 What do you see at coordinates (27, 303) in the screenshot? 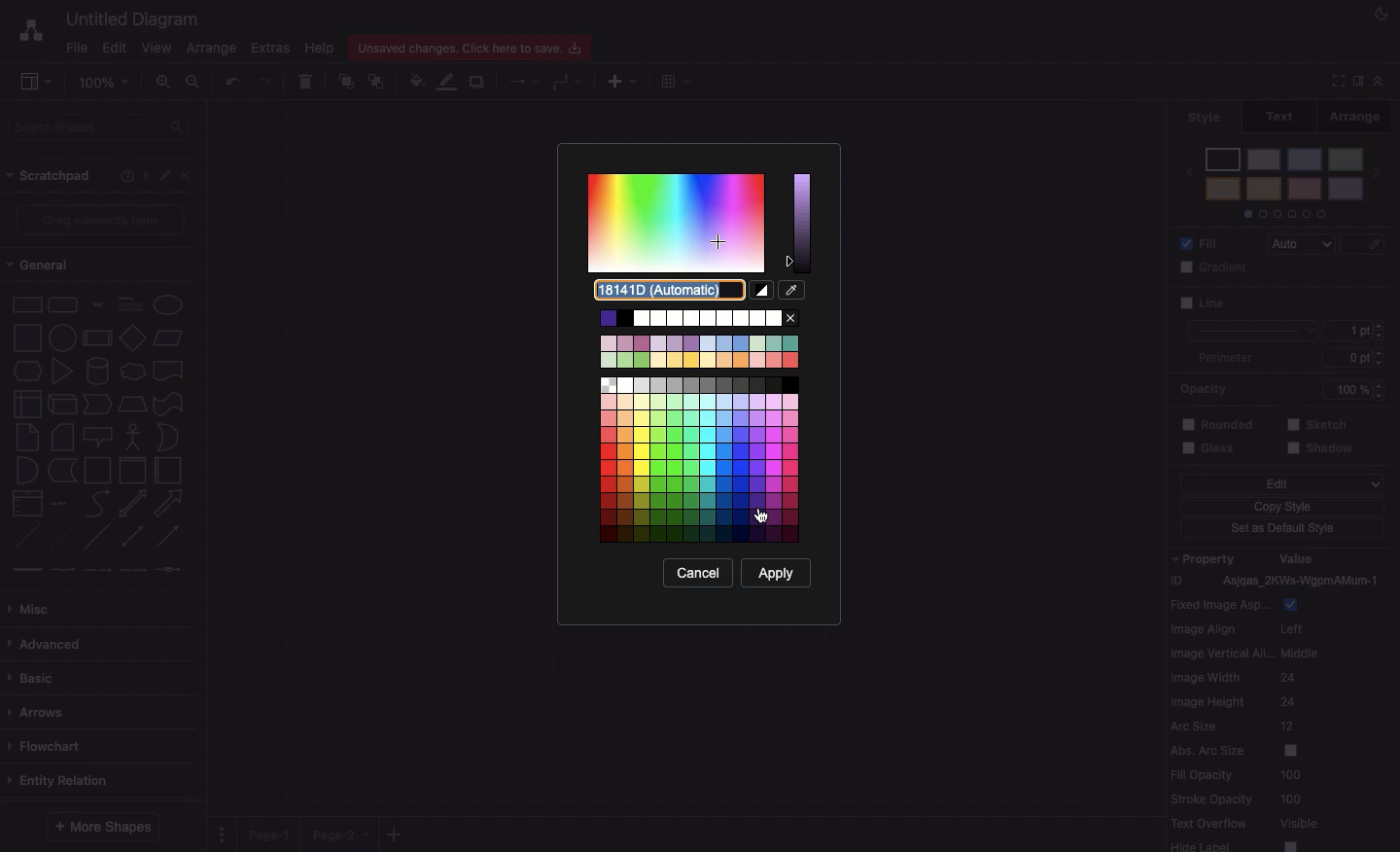
I see `rectangle` at bounding box center [27, 303].